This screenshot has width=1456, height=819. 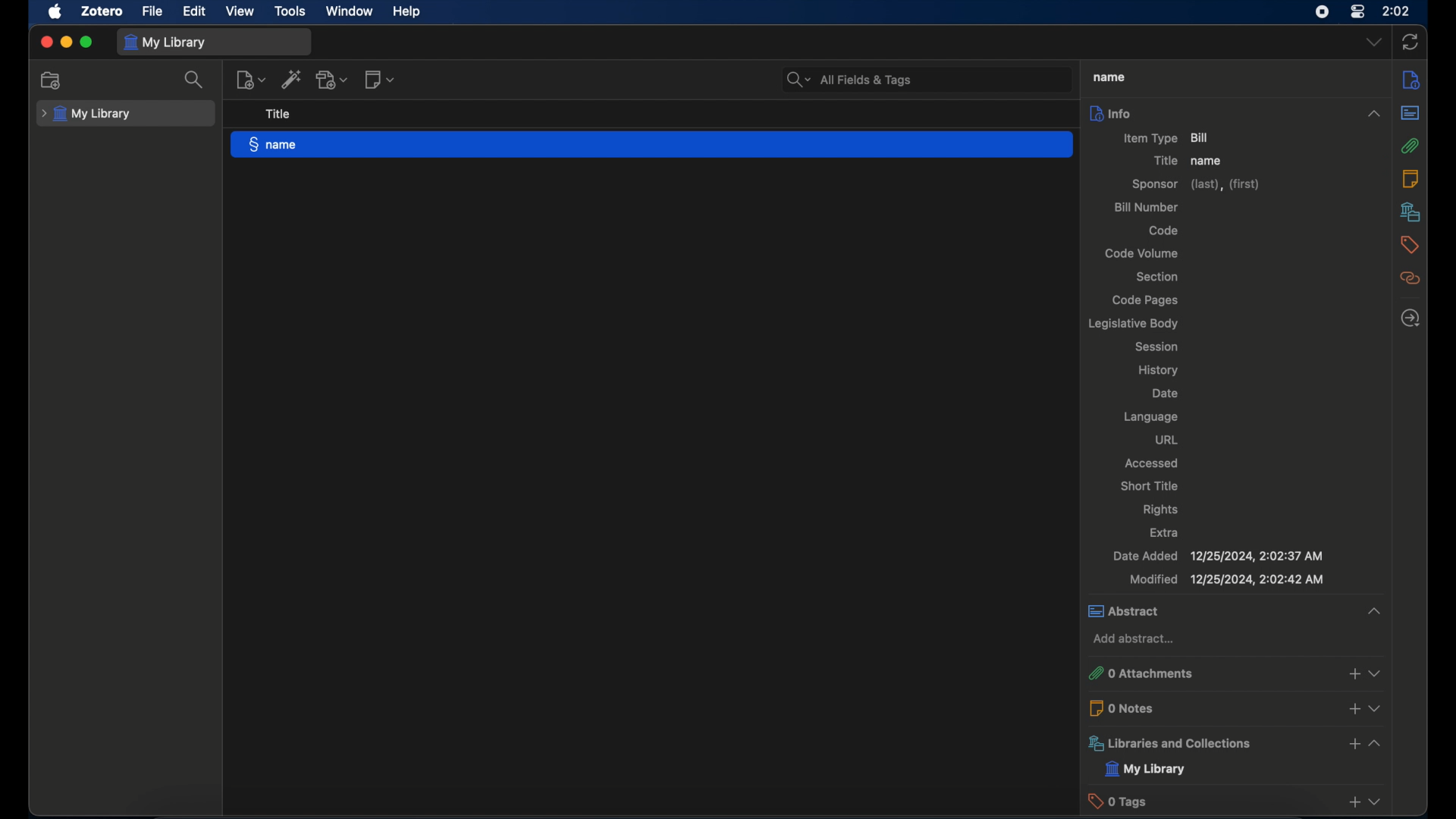 What do you see at coordinates (1234, 743) in the screenshot?
I see `libraries` at bounding box center [1234, 743].